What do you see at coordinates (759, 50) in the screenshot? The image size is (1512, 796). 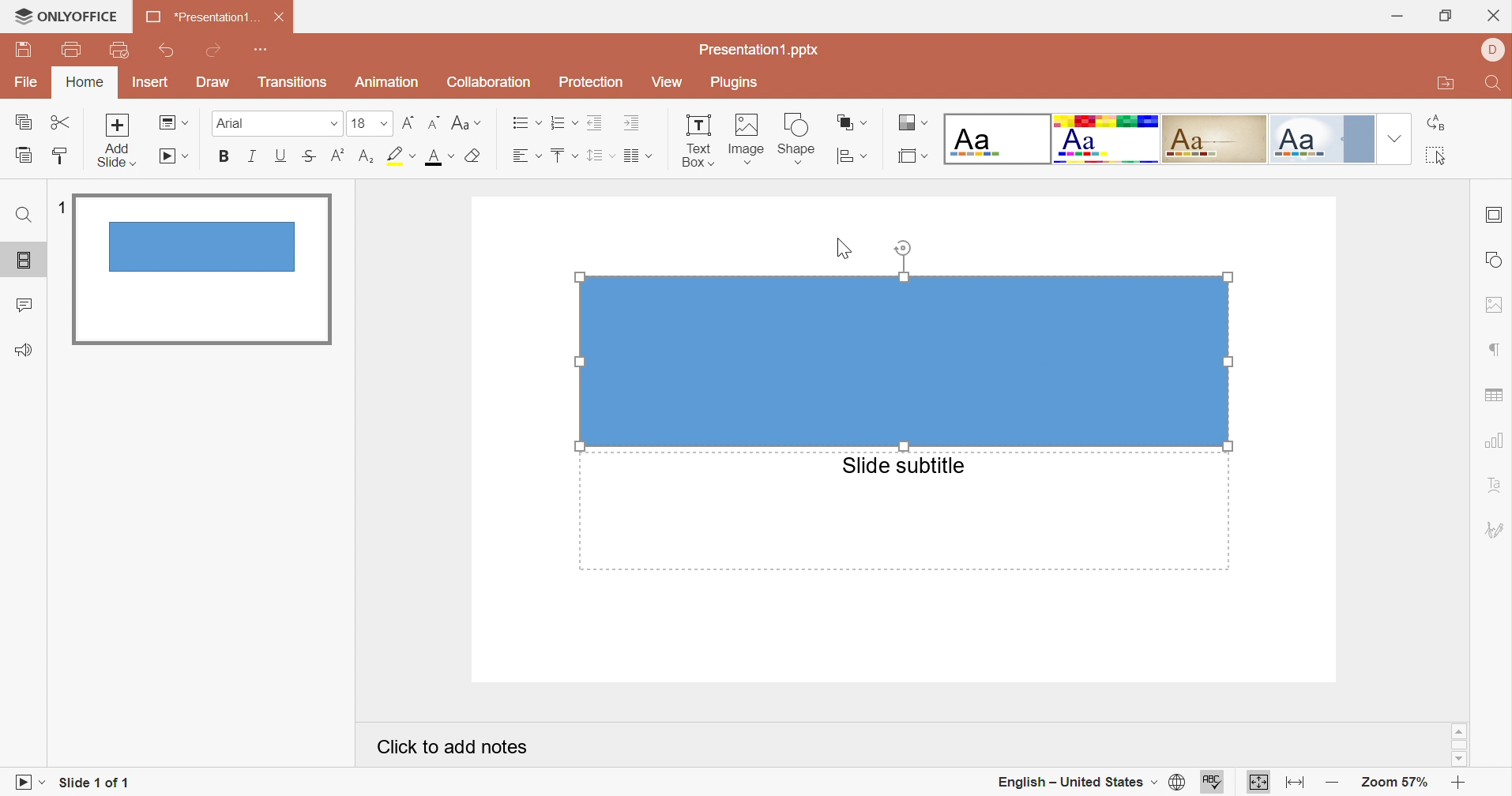 I see `Presentation1.pptx` at bounding box center [759, 50].